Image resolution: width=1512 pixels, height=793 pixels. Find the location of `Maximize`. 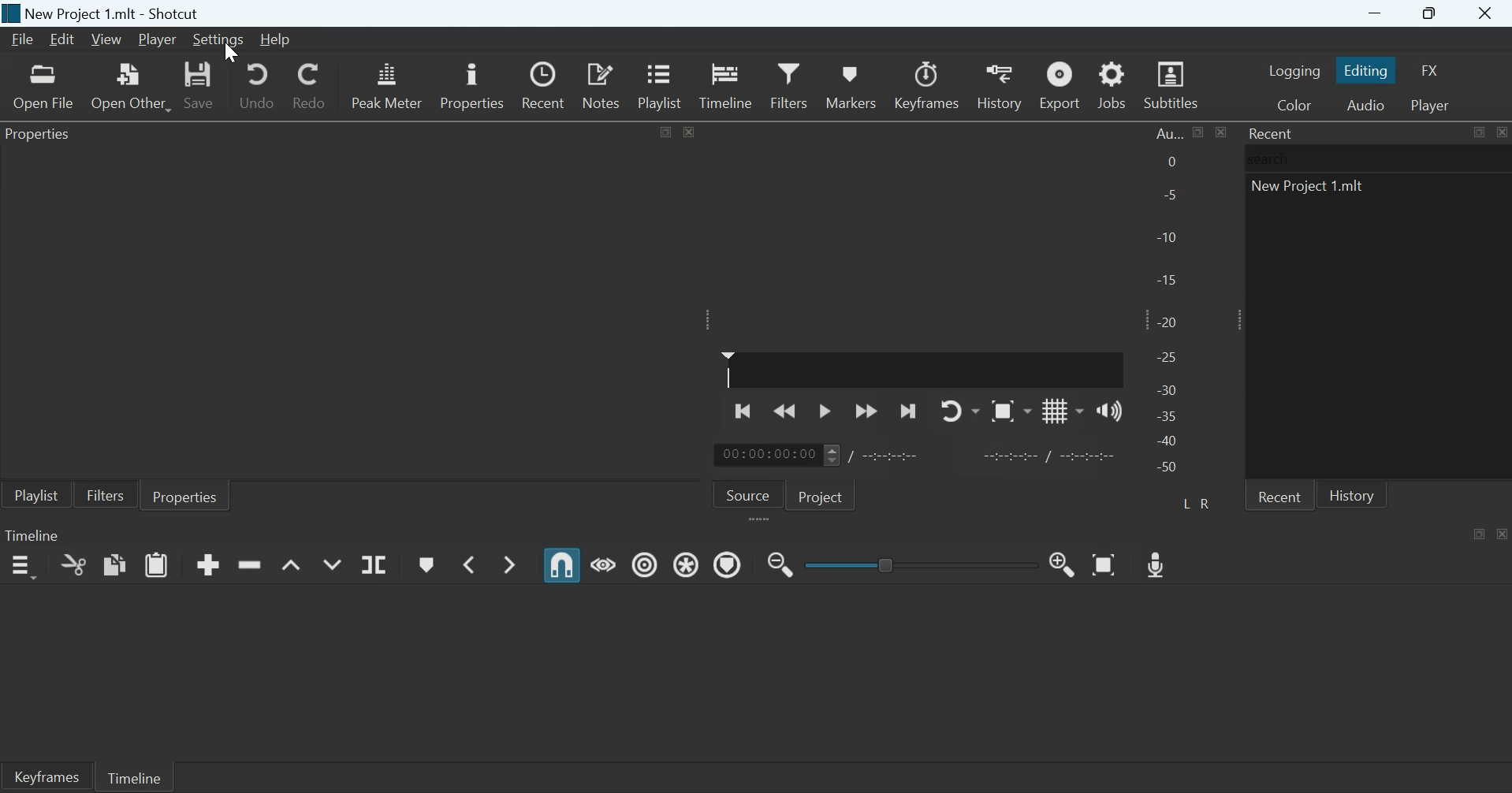

Maximize is located at coordinates (1432, 14).